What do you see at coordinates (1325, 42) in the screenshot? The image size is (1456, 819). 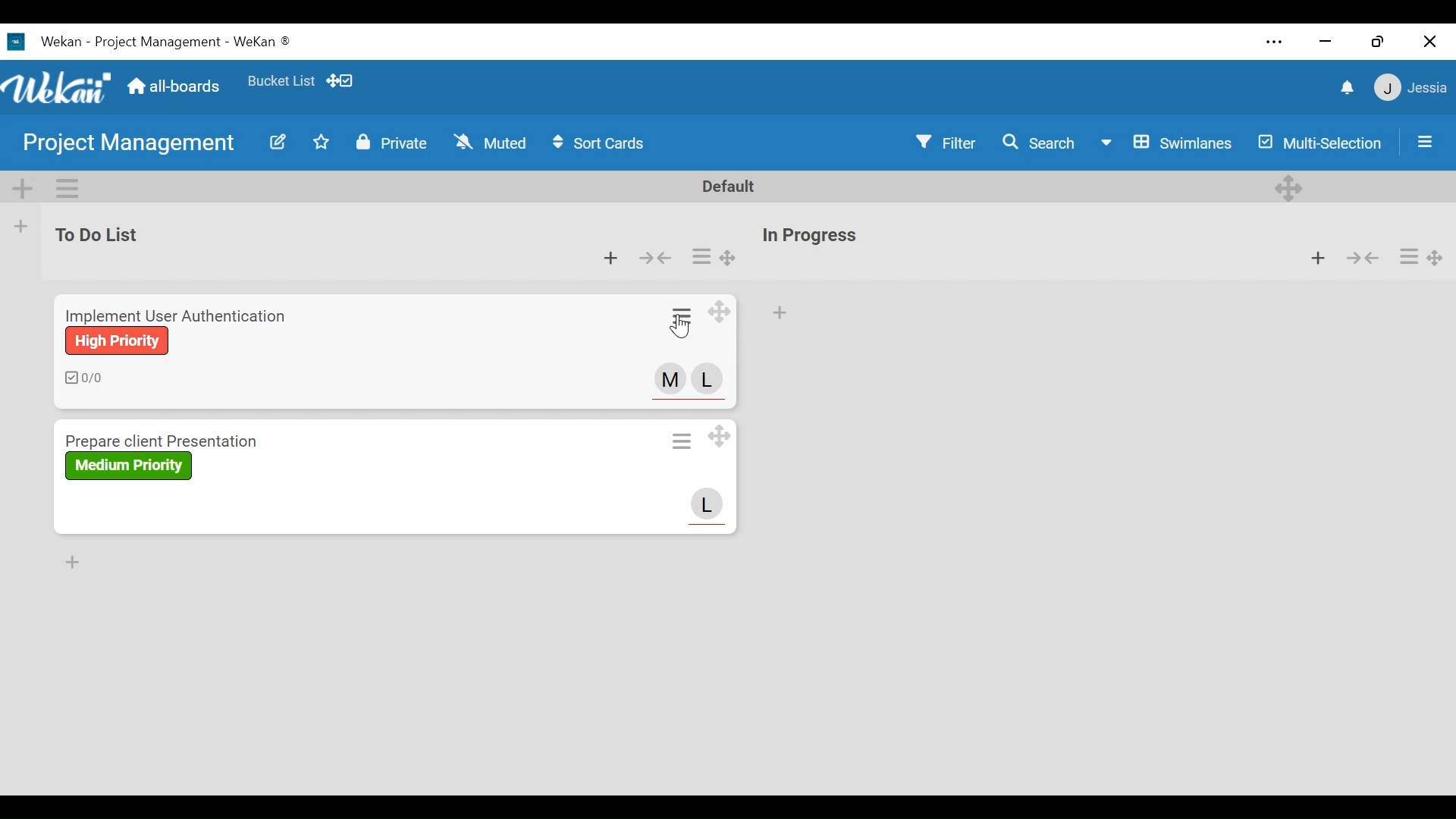 I see `minimize` at bounding box center [1325, 42].